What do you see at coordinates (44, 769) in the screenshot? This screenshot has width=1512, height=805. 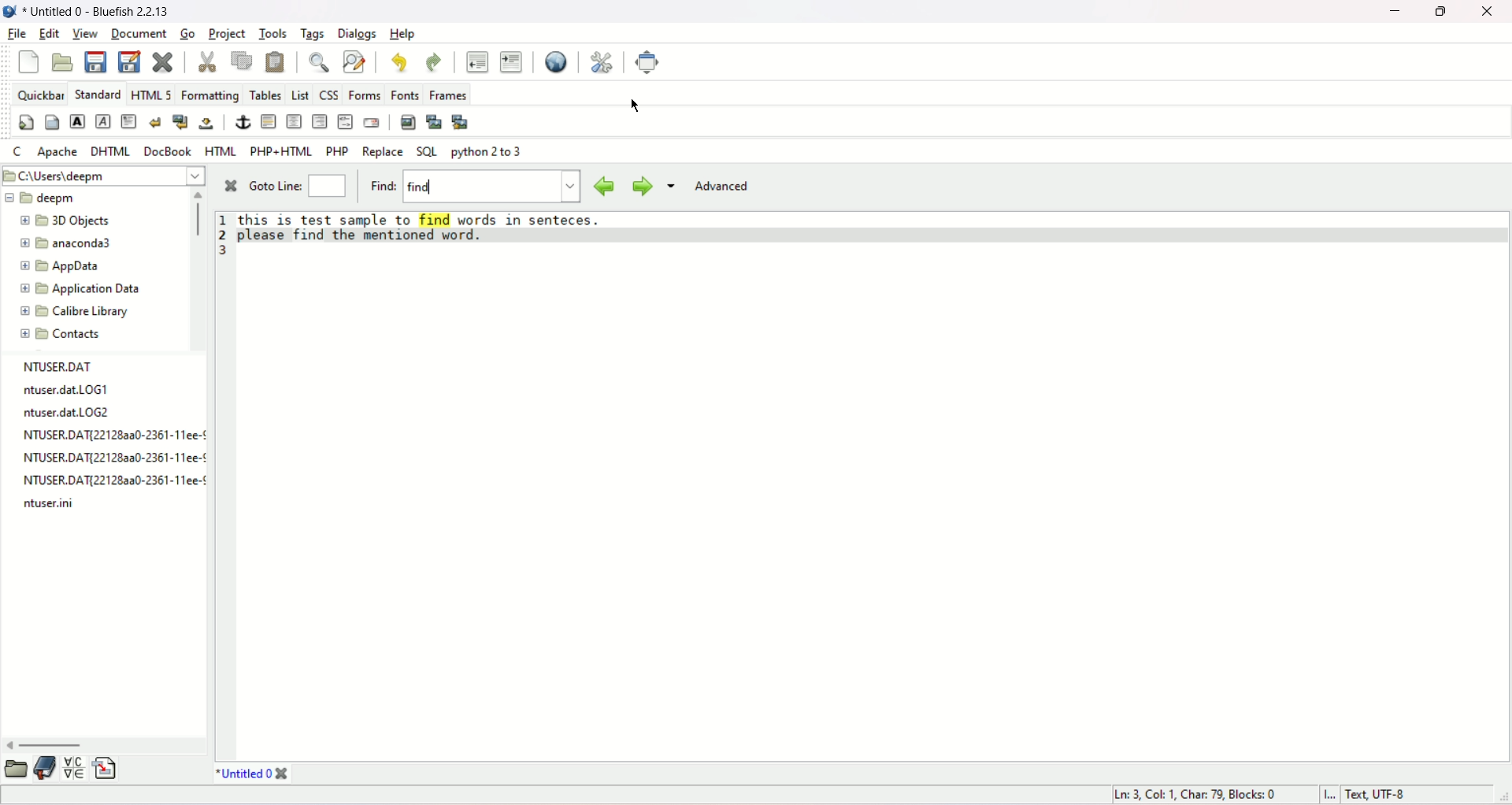 I see `documentation` at bounding box center [44, 769].